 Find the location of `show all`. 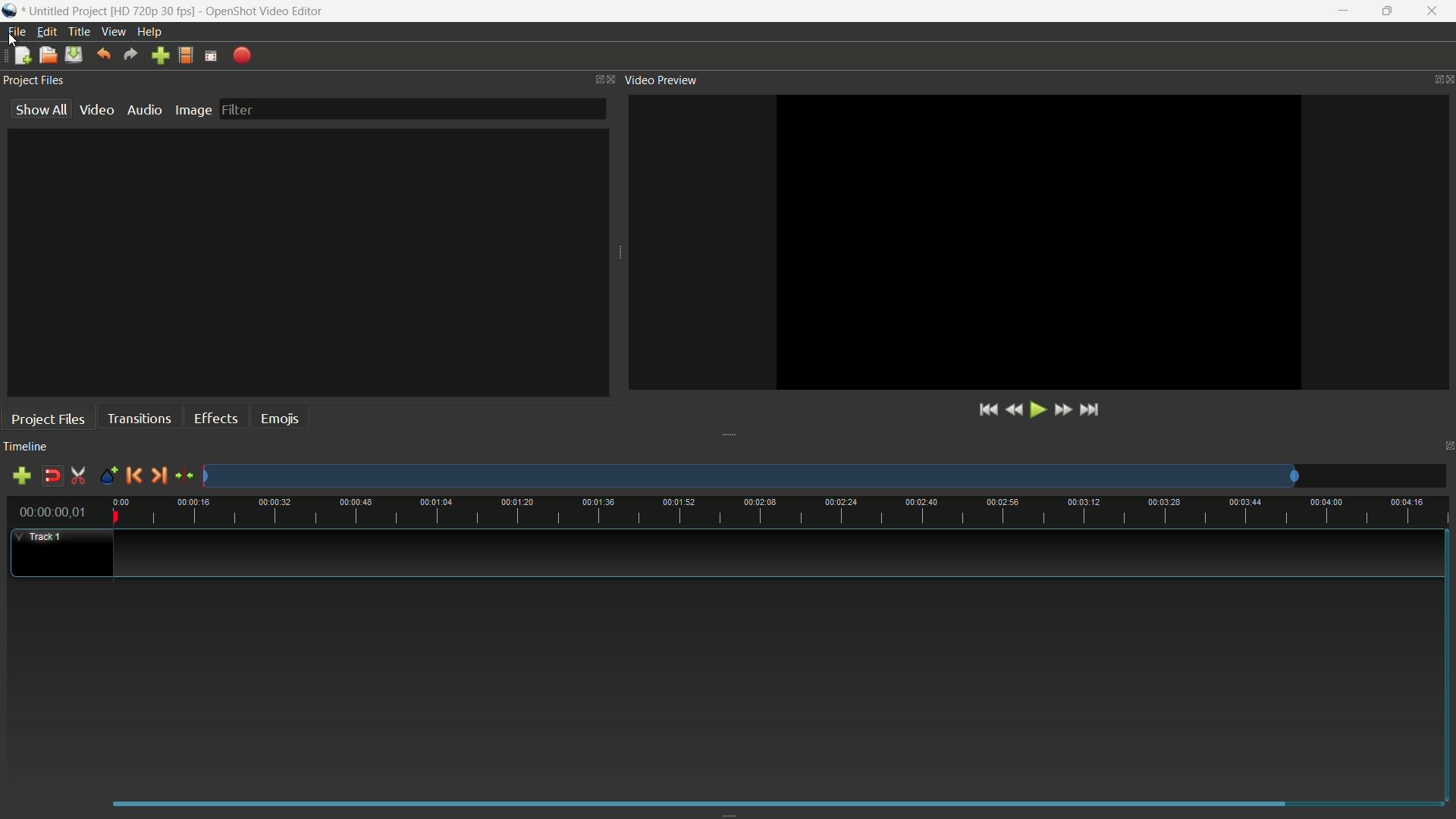

show all is located at coordinates (42, 108).